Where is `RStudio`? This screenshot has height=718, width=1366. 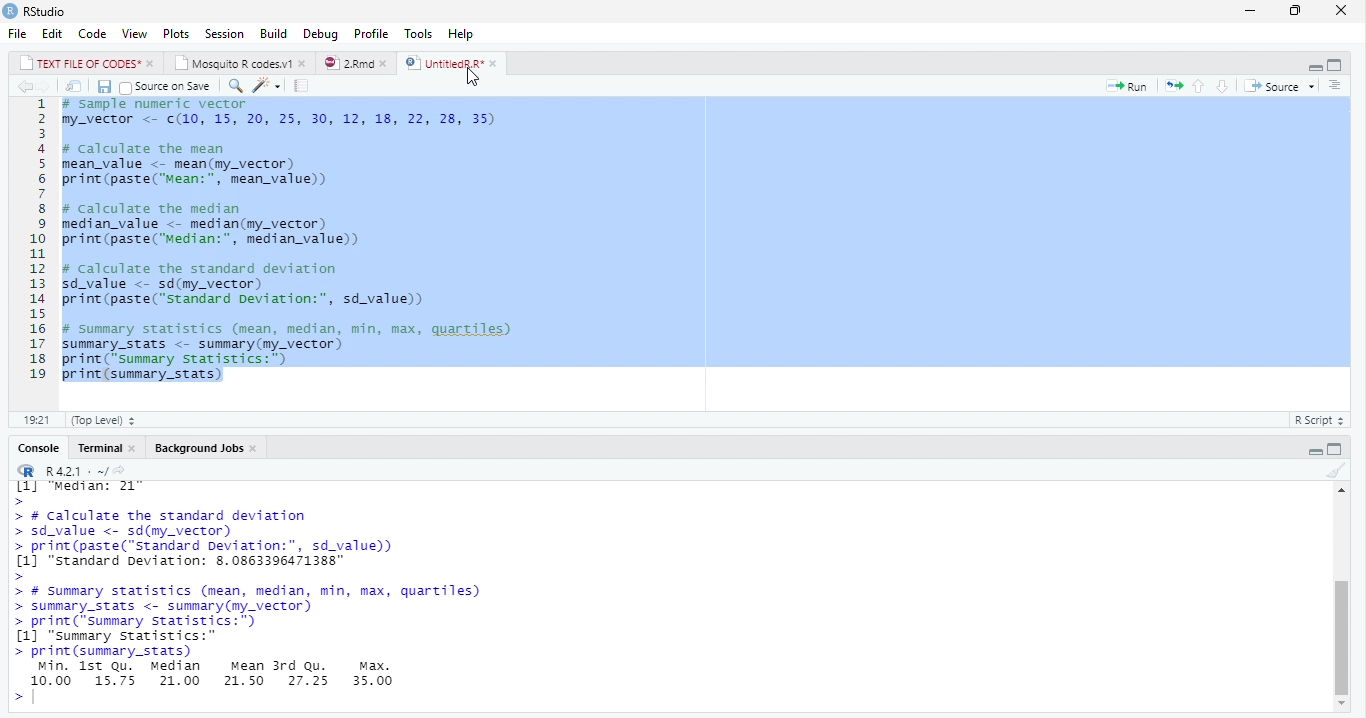
RStudio is located at coordinates (47, 12).